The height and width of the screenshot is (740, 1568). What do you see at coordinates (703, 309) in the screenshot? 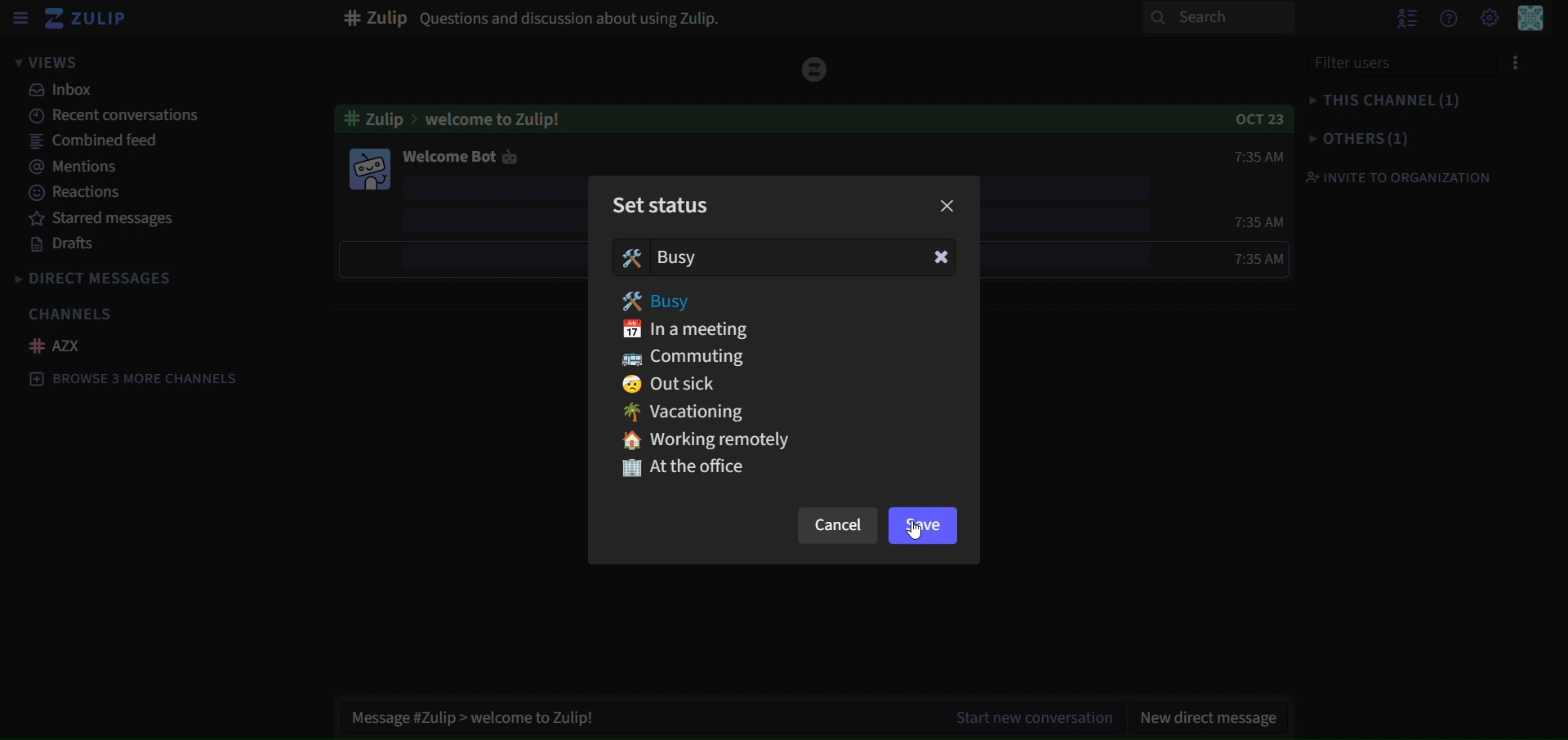
I see `Cursor` at bounding box center [703, 309].